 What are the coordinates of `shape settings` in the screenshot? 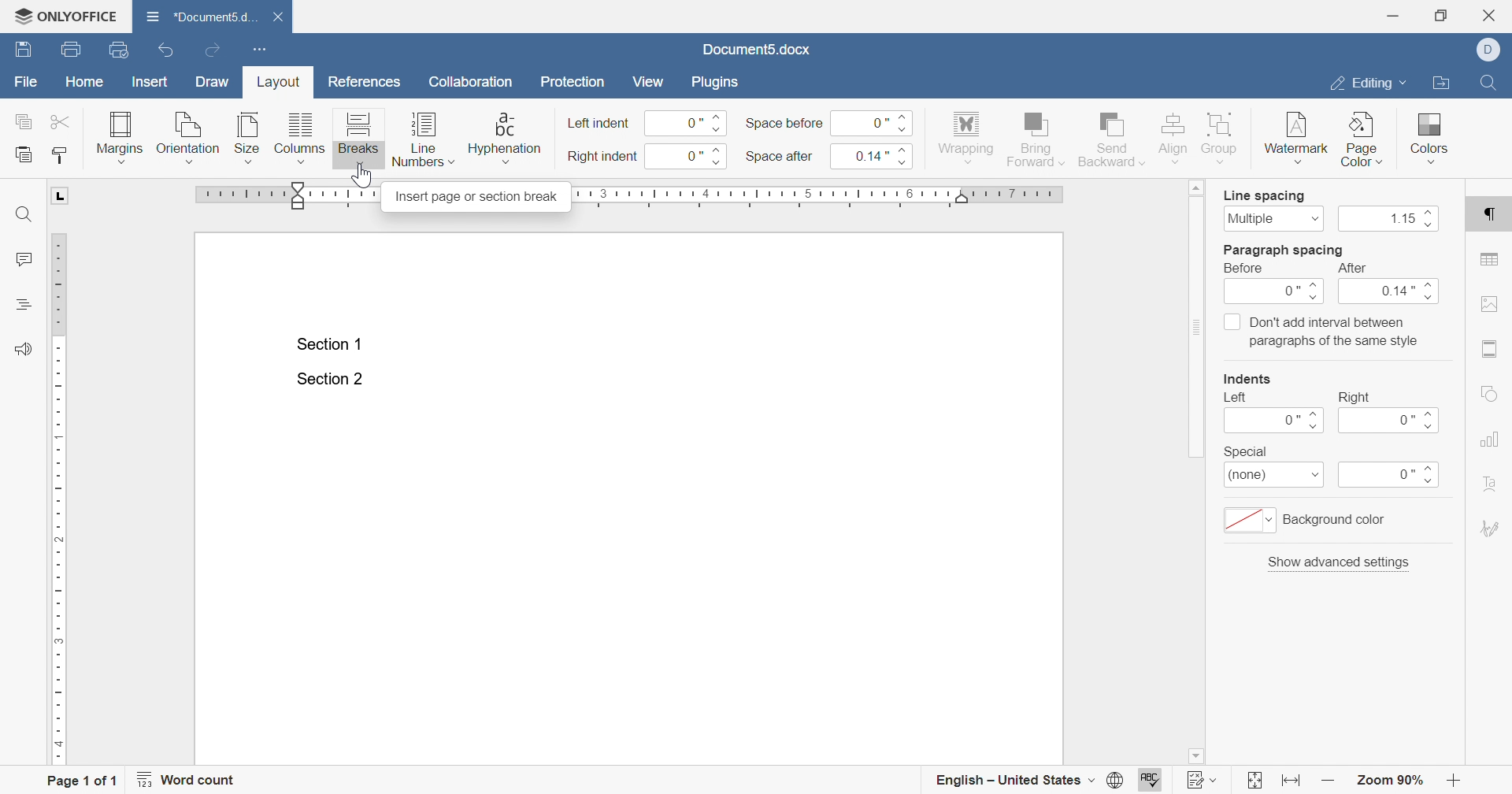 It's located at (1488, 393).